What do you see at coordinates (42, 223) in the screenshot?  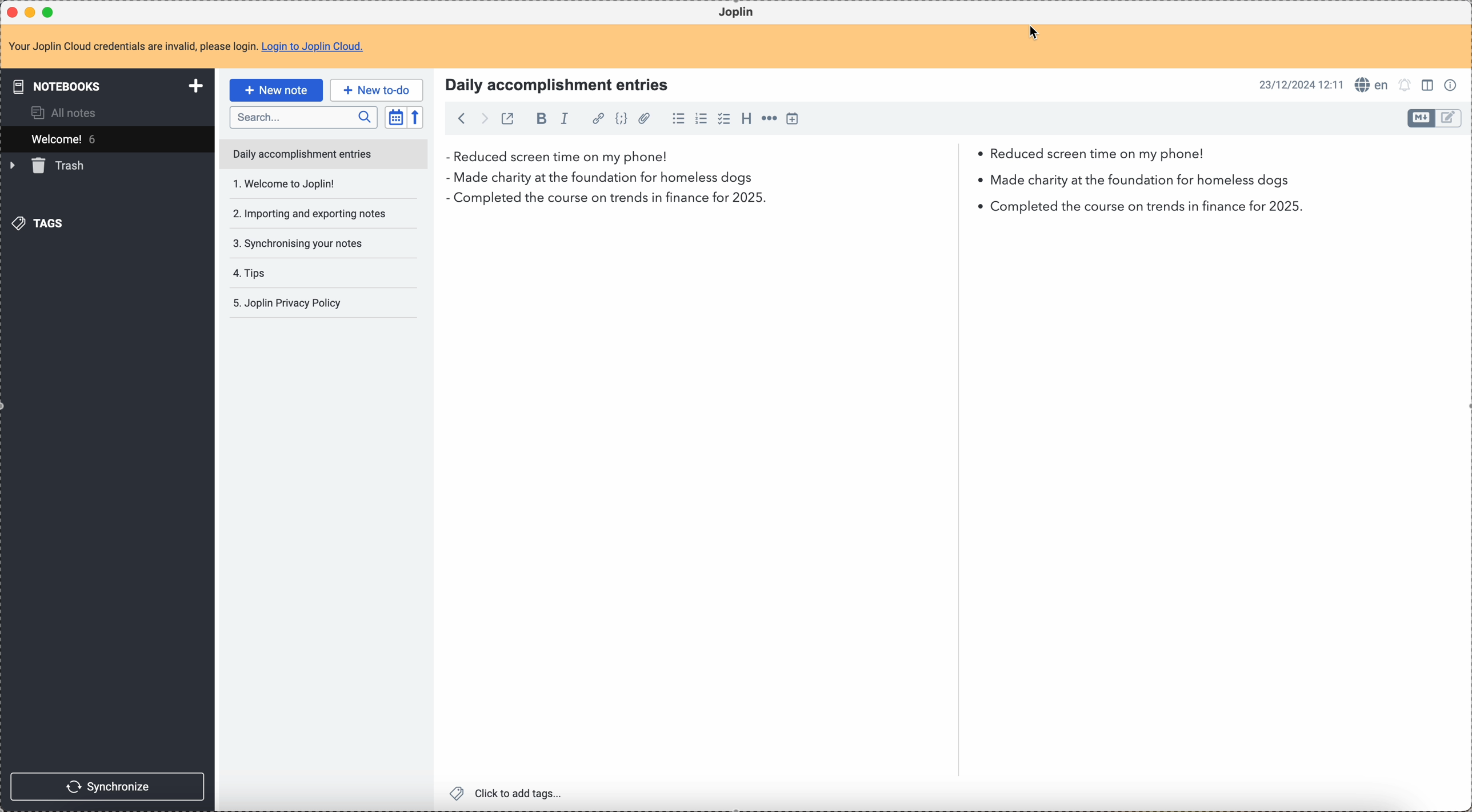 I see `tags` at bounding box center [42, 223].